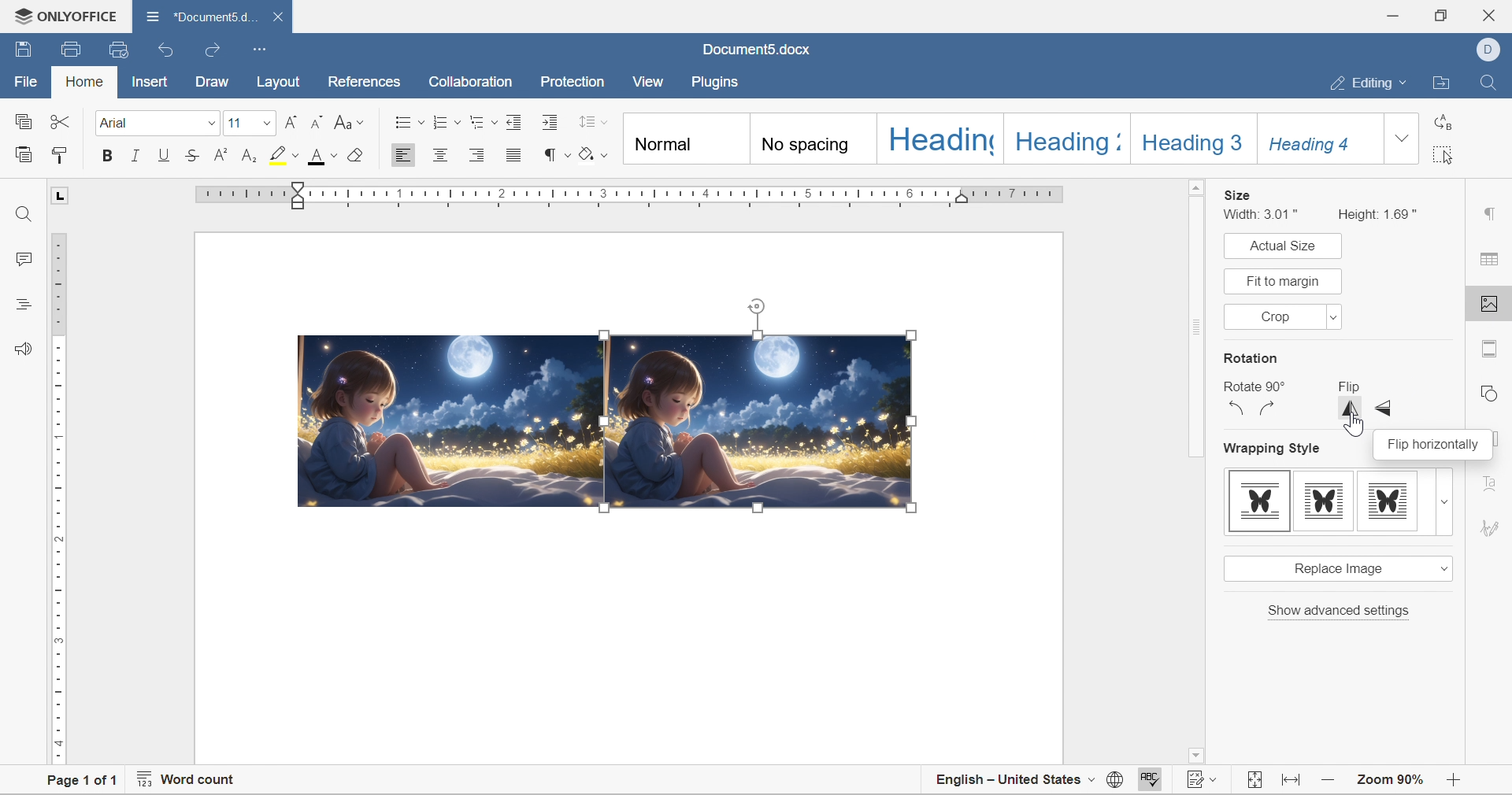 The width and height of the screenshot is (1512, 795). Describe the element at coordinates (85, 784) in the screenshot. I see `page 1 of 1` at that location.